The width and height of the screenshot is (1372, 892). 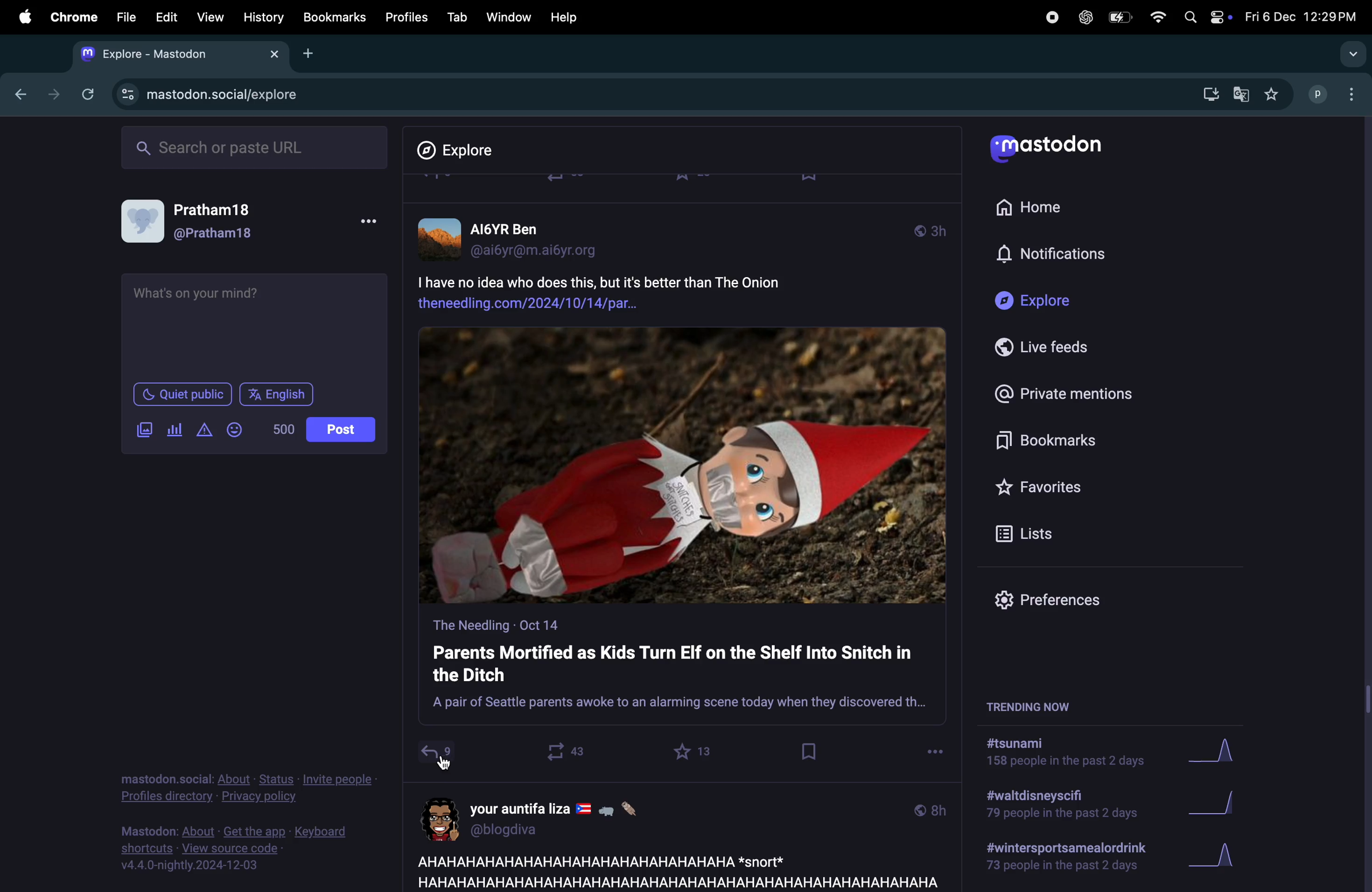 I want to click on tab, so click(x=457, y=17).